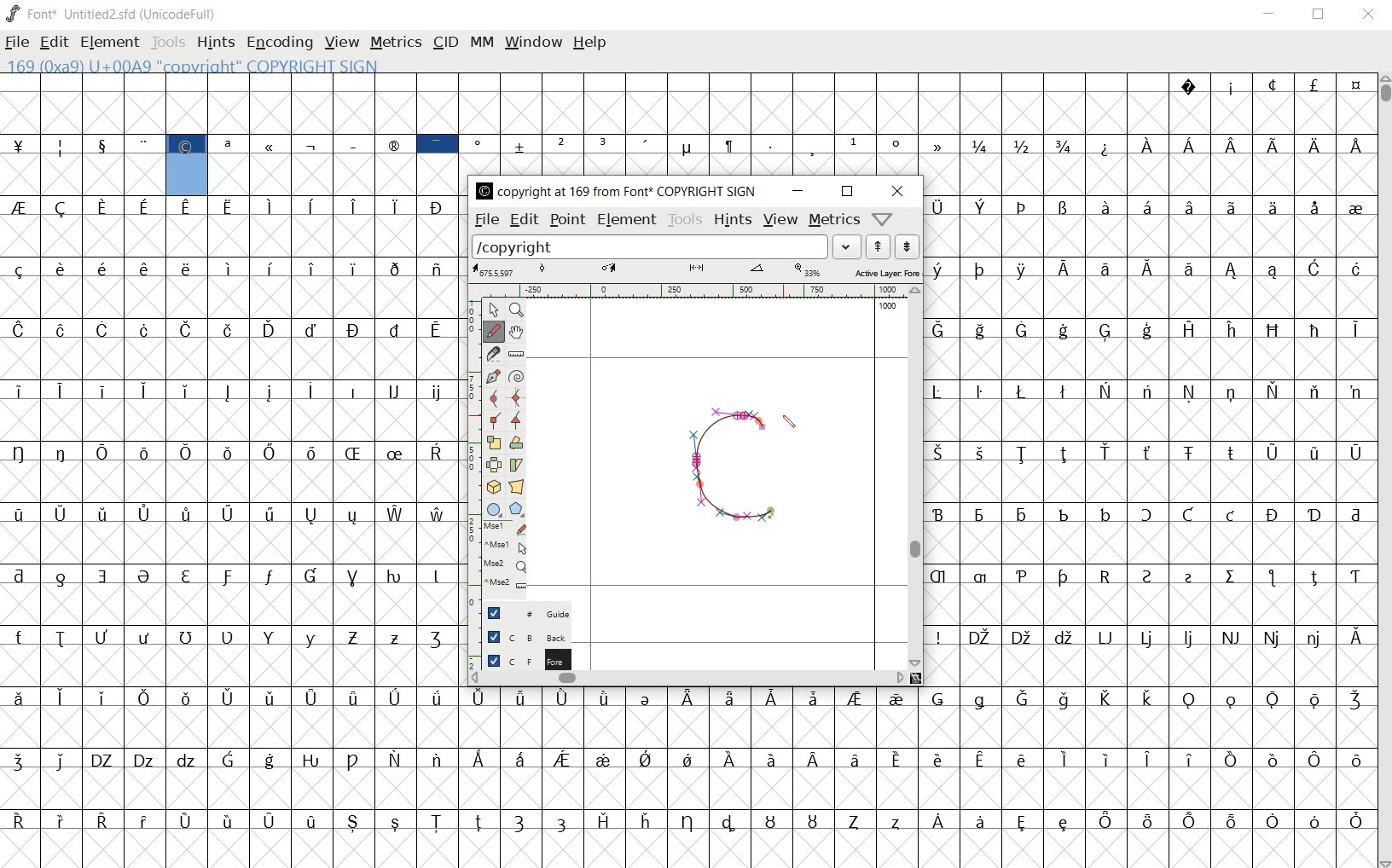 Image resolution: width=1392 pixels, height=868 pixels. Describe the element at coordinates (519, 660) in the screenshot. I see `foreground layer` at that location.